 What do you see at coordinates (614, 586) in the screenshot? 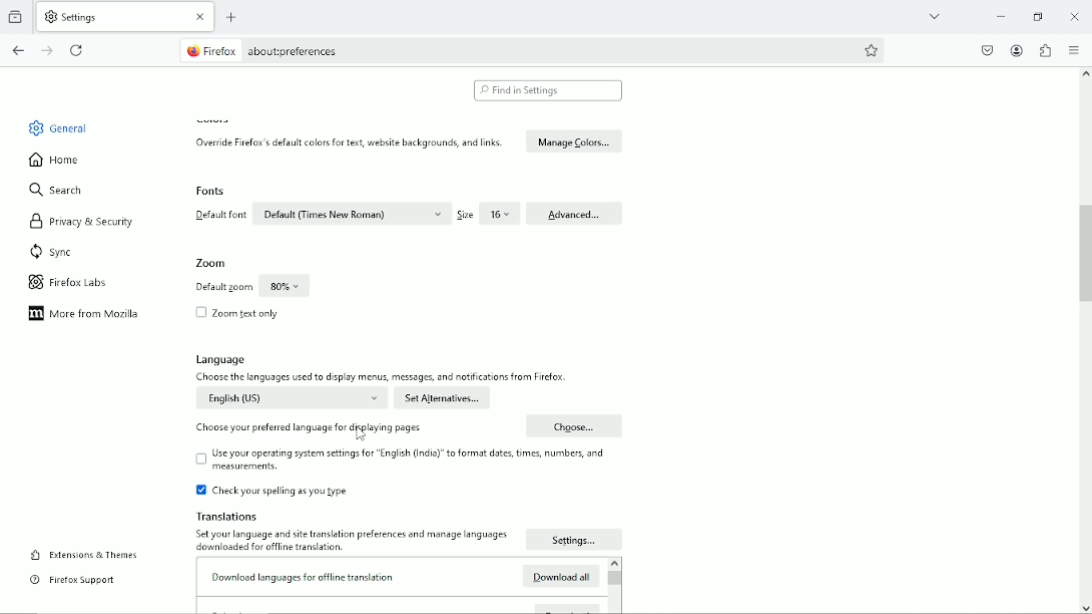
I see `Scroll Bar` at bounding box center [614, 586].